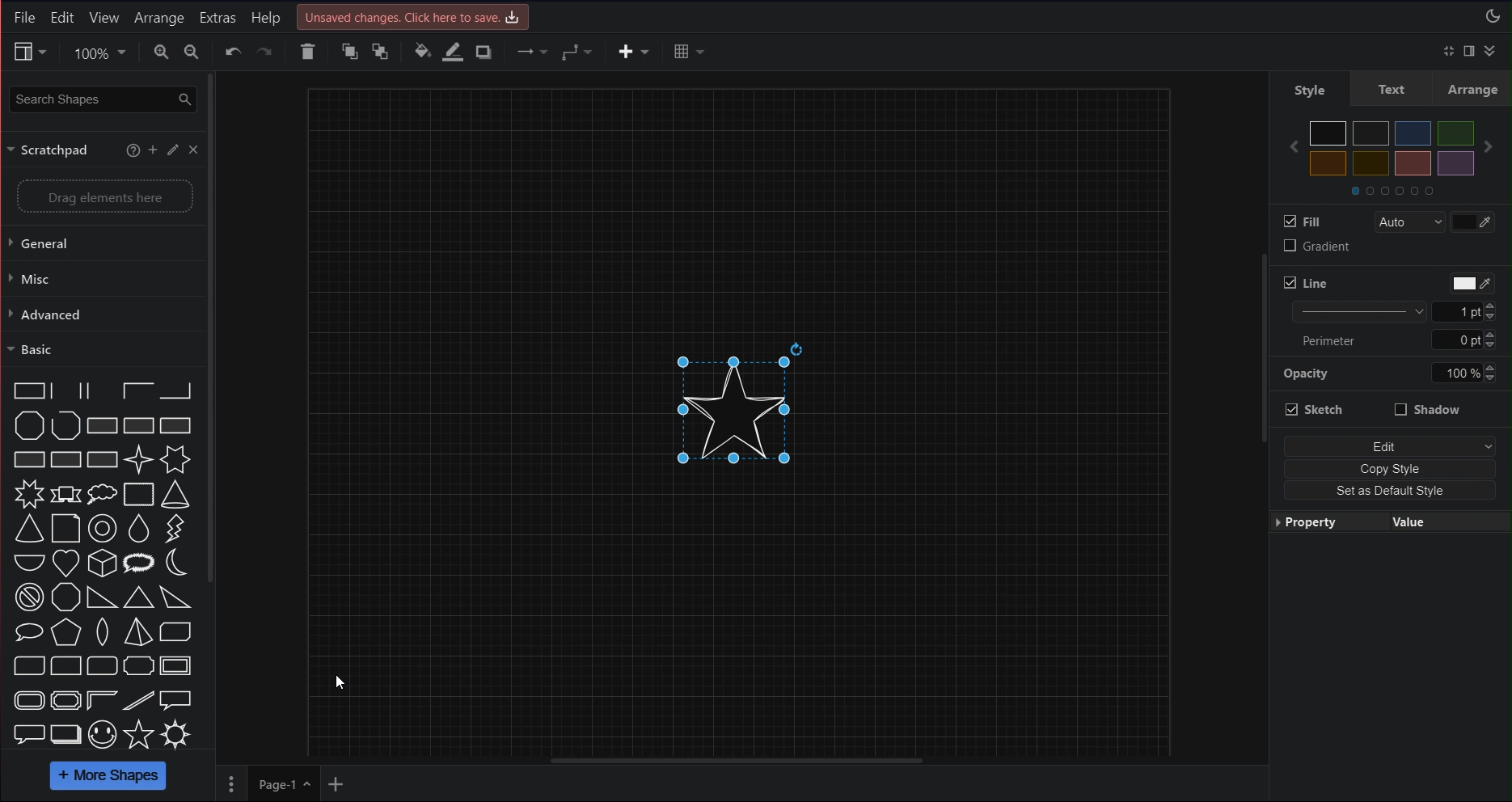 Image resolution: width=1512 pixels, height=802 pixels. Describe the element at coordinates (1317, 246) in the screenshot. I see `Gradient` at that location.